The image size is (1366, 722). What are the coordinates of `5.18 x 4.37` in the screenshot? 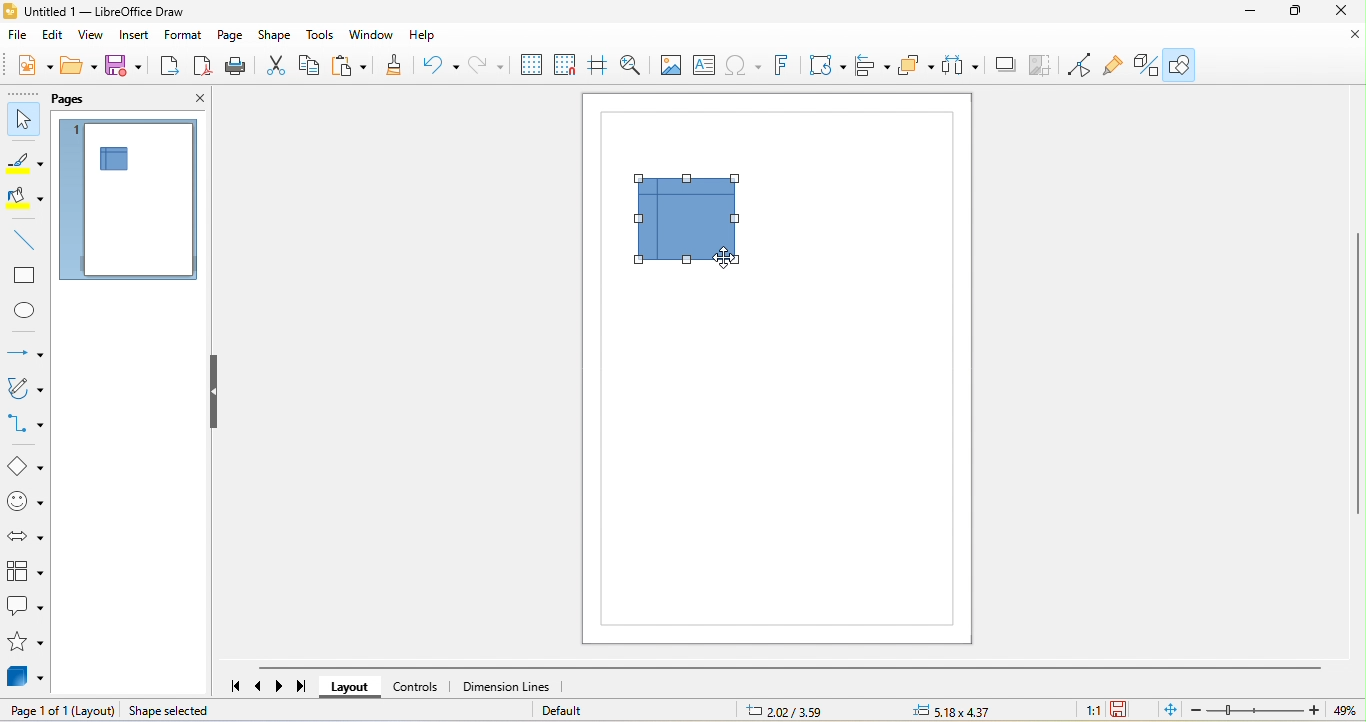 It's located at (970, 710).